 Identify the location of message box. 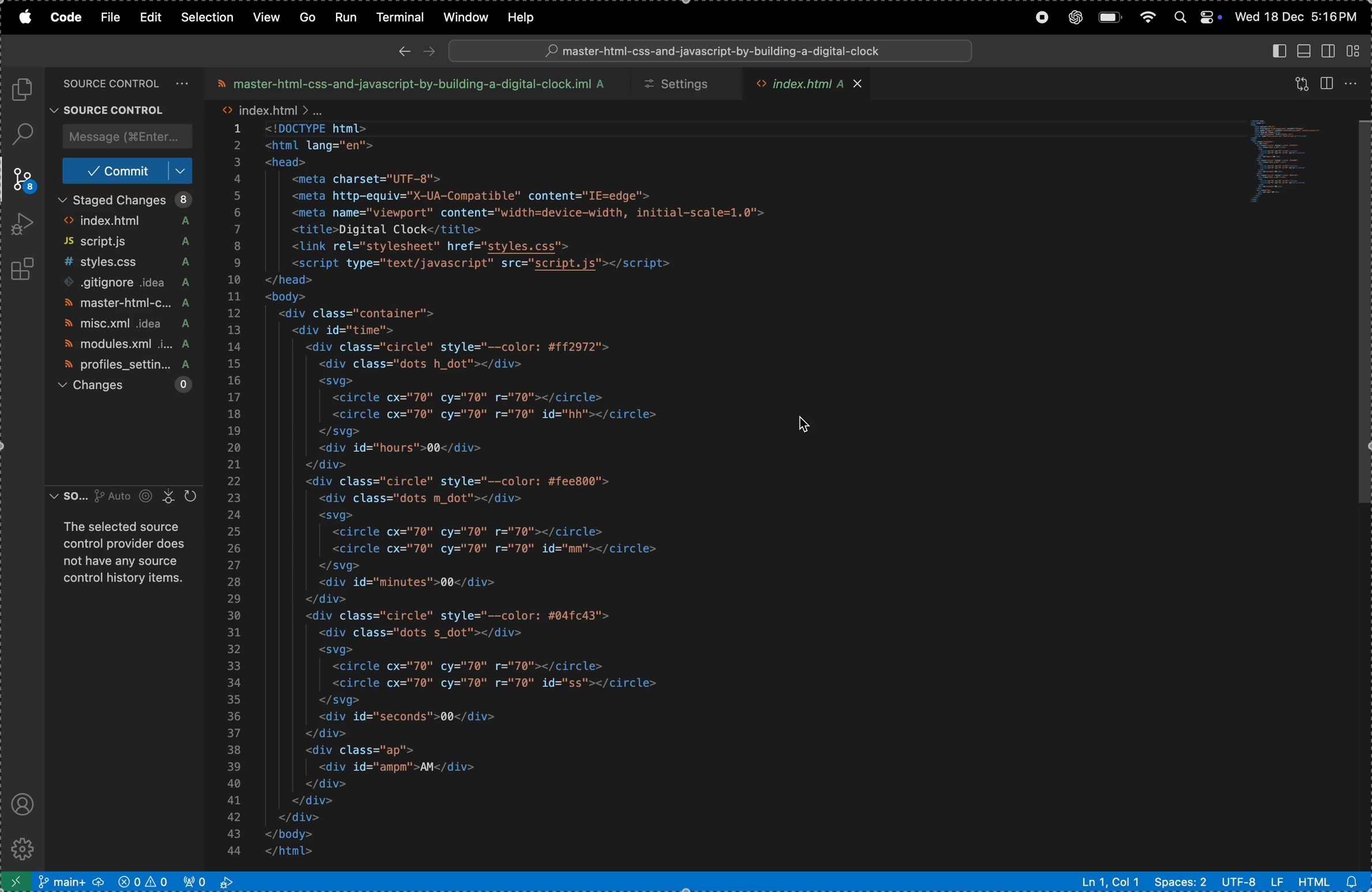
(125, 137).